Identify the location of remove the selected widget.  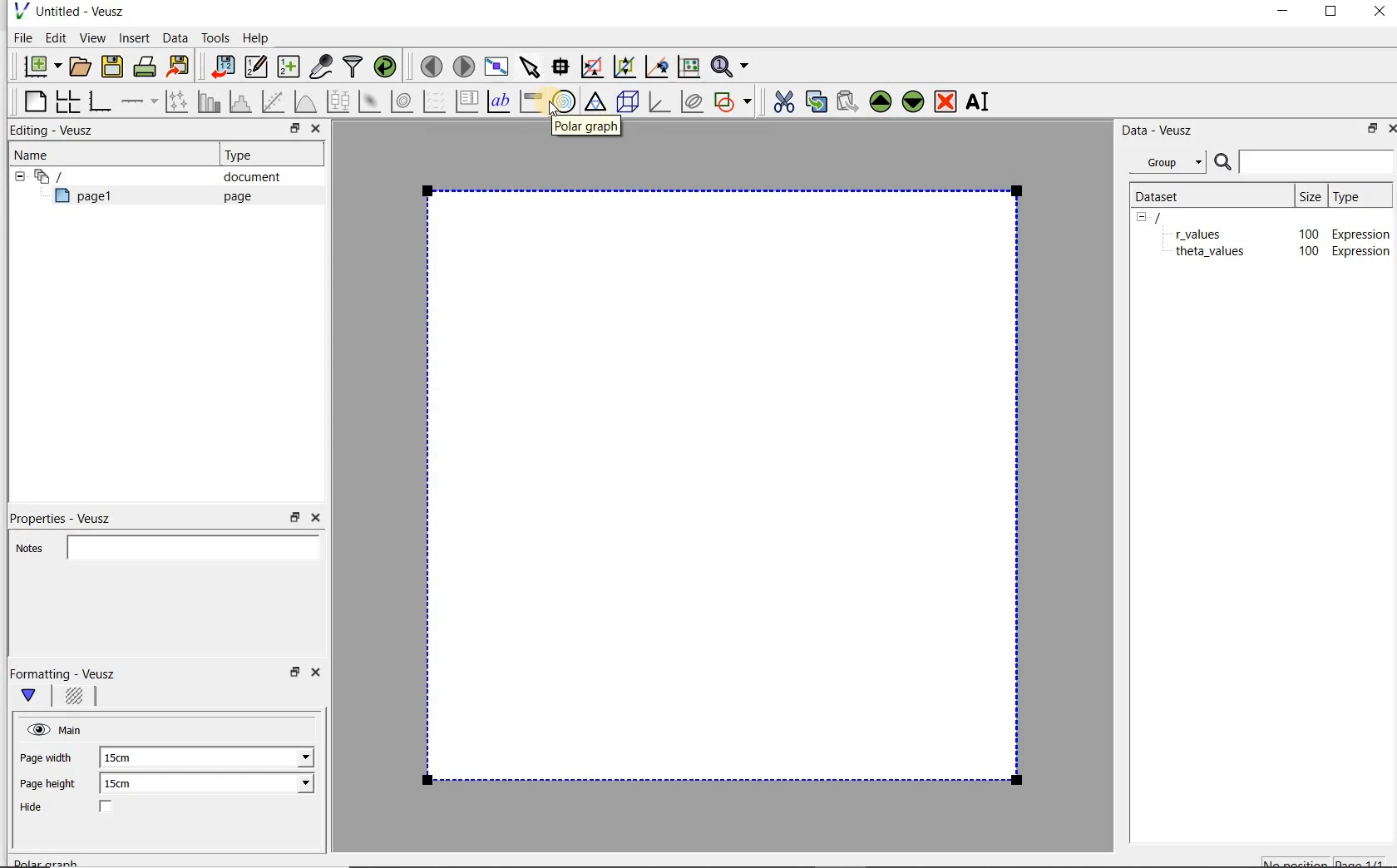
(946, 101).